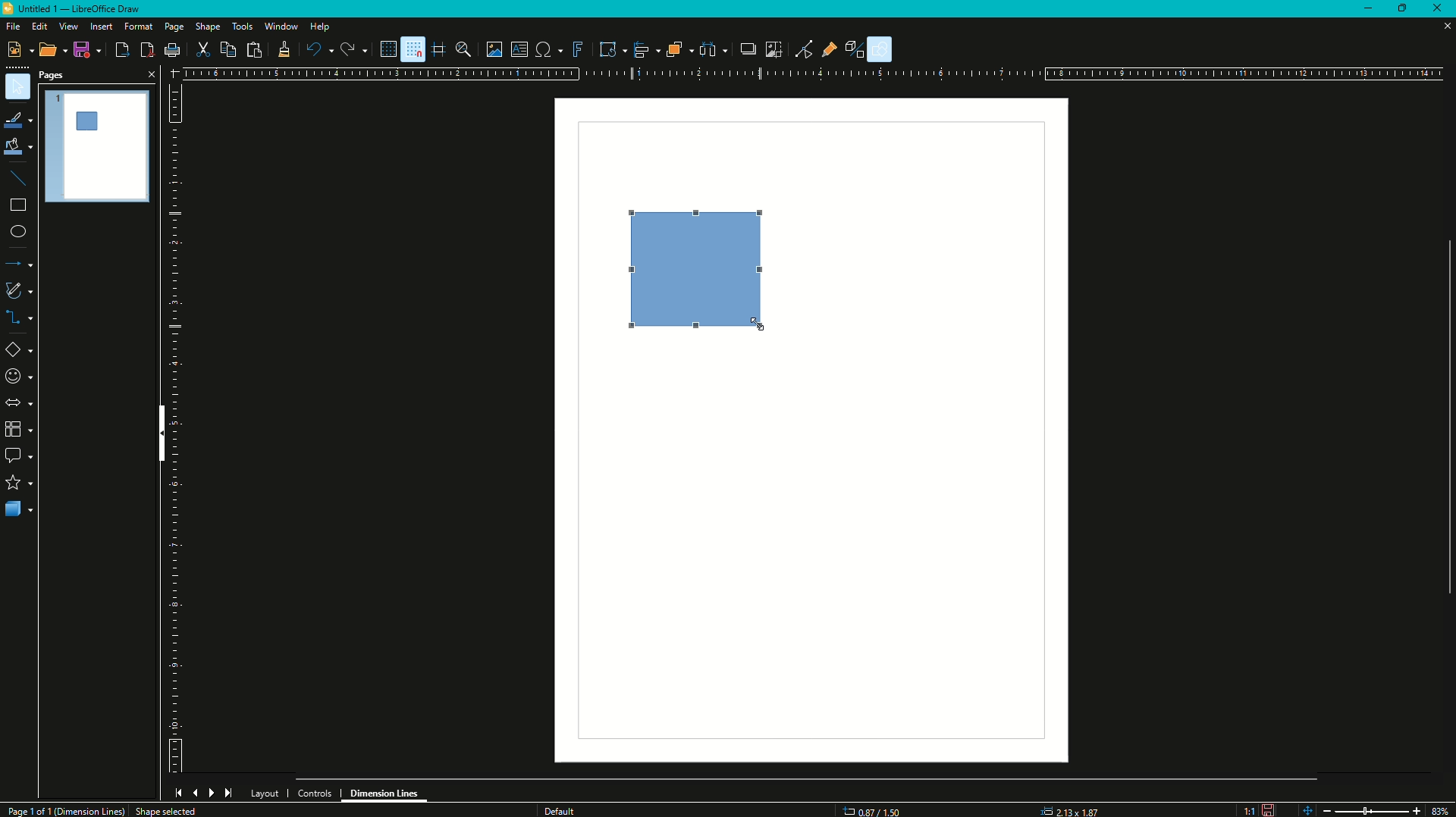  Describe the element at coordinates (20, 265) in the screenshot. I see `Lines and Arrows` at that location.